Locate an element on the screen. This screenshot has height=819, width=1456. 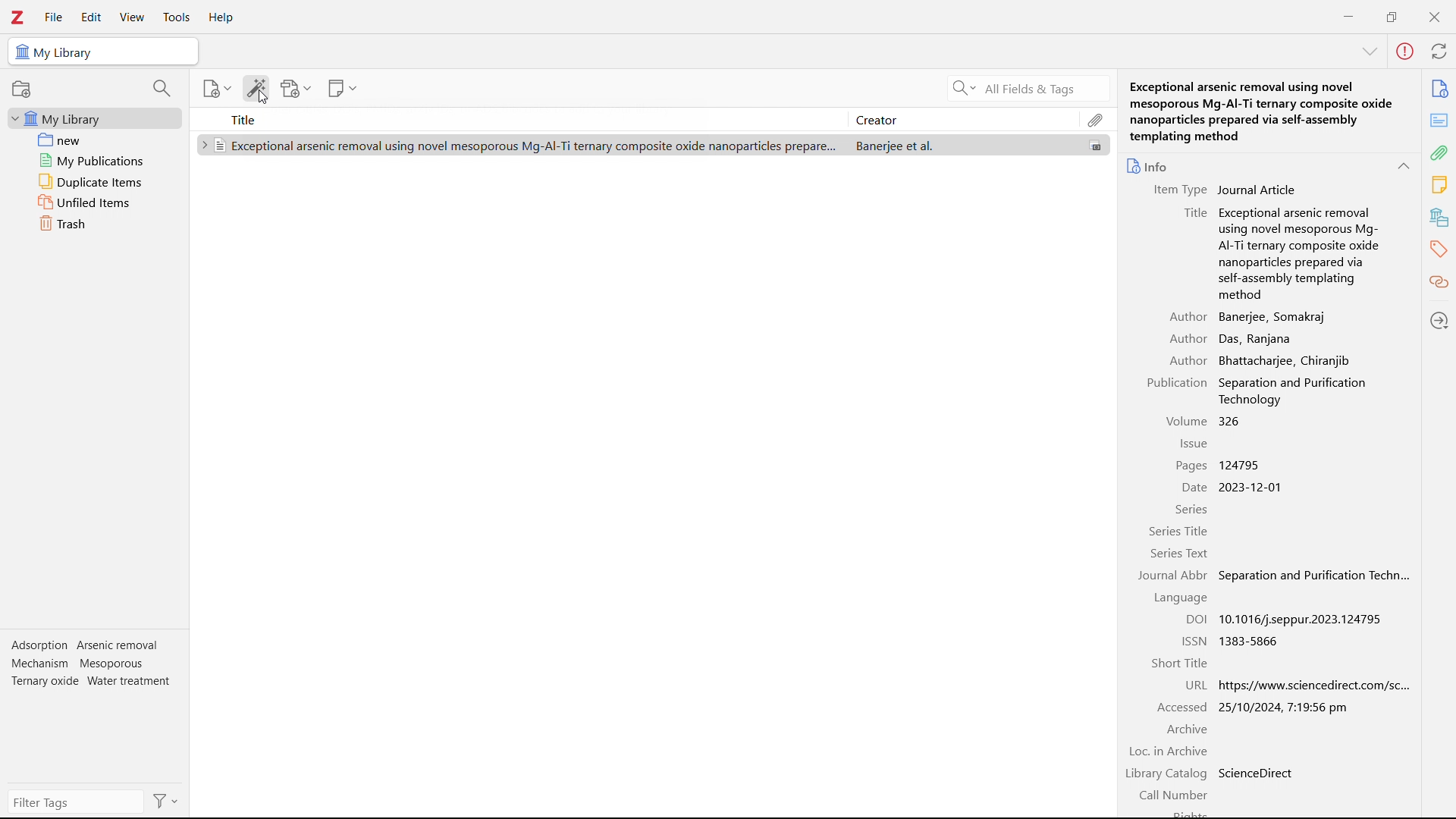
author is located at coordinates (1188, 339).